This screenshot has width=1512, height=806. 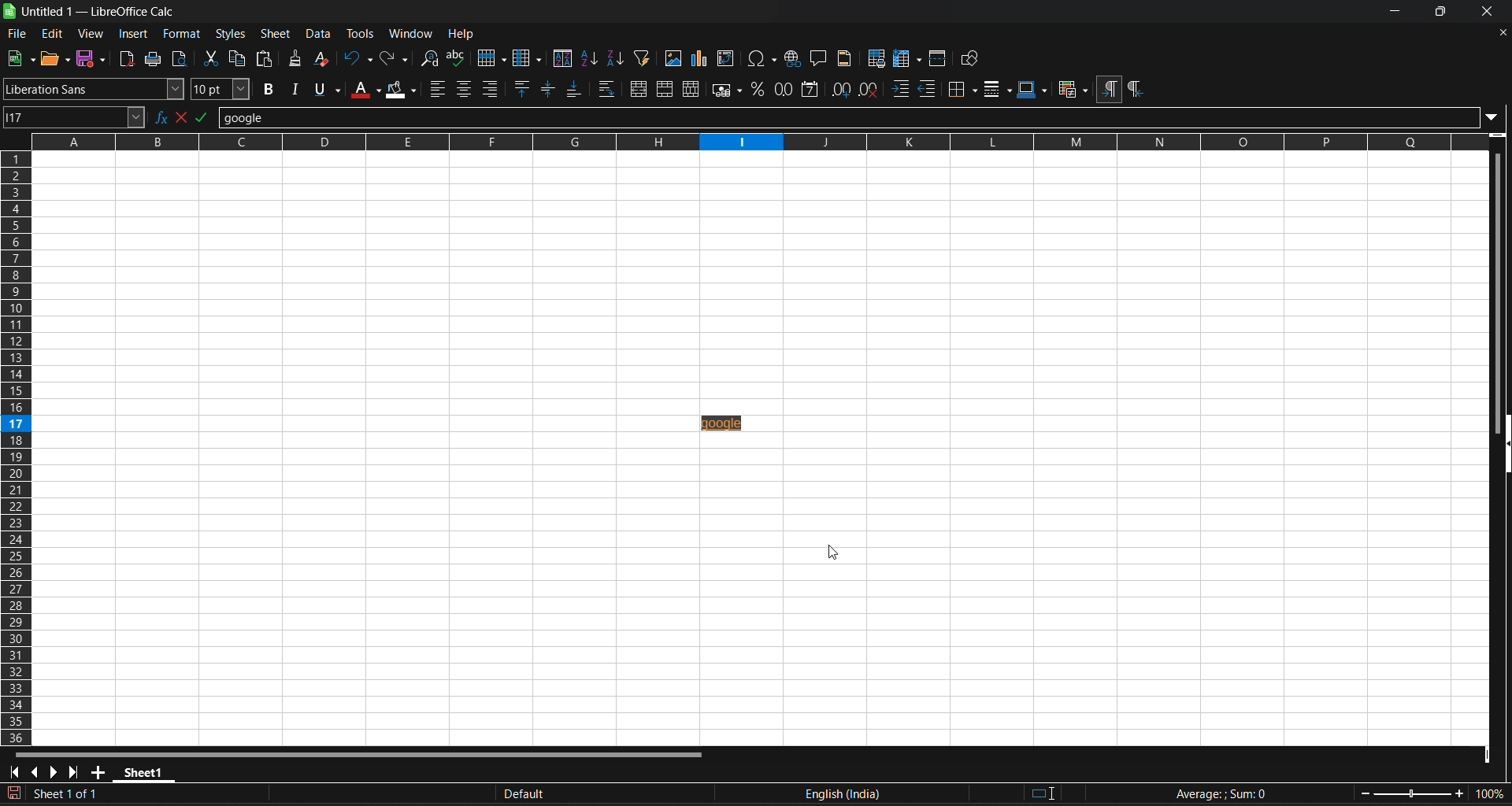 I want to click on format as number, so click(x=783, y=90).